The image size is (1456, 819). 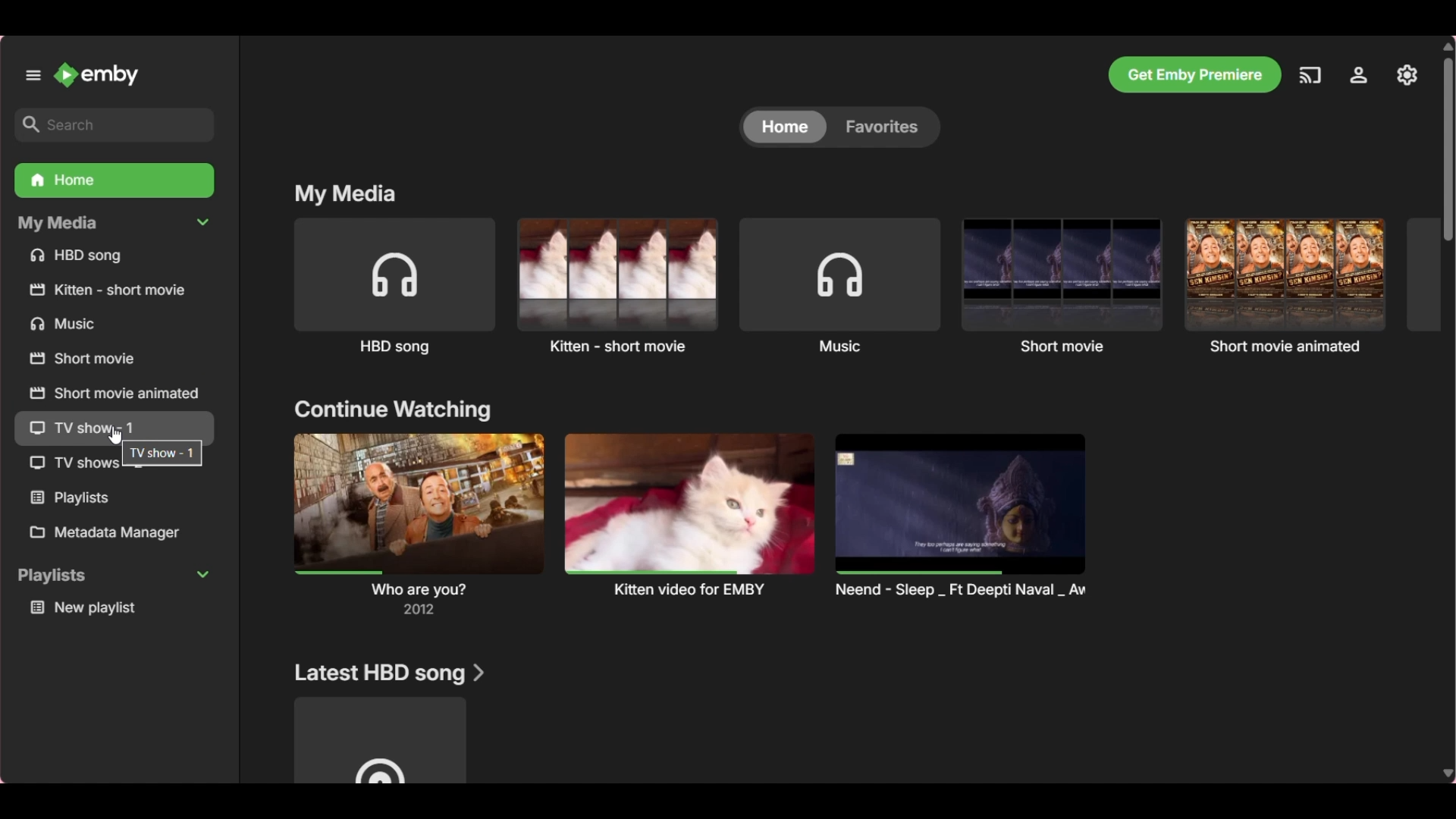 I want to click on Short film, so click(x=1062, y=286).